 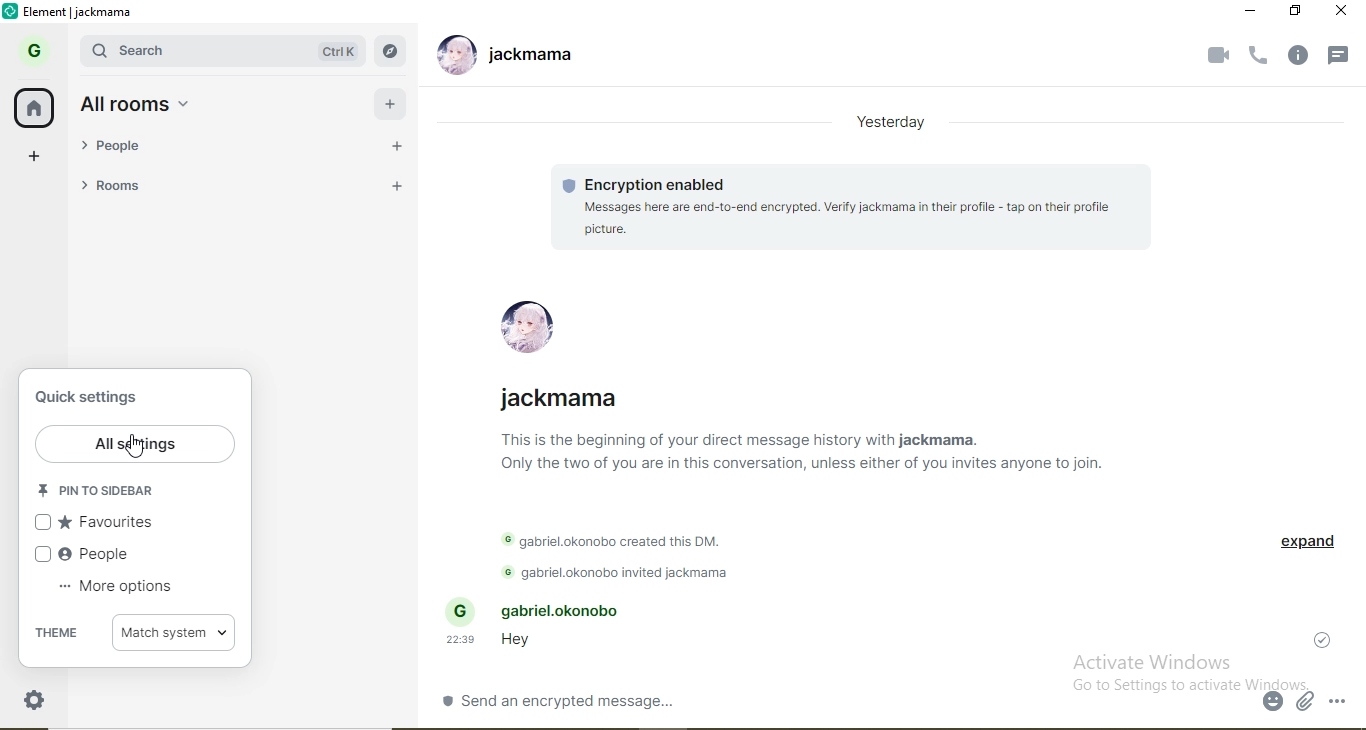 What do you see at coordinates (1274, 703) in the screenshot?
I see `emoji` at bounding box center [1274, 703].